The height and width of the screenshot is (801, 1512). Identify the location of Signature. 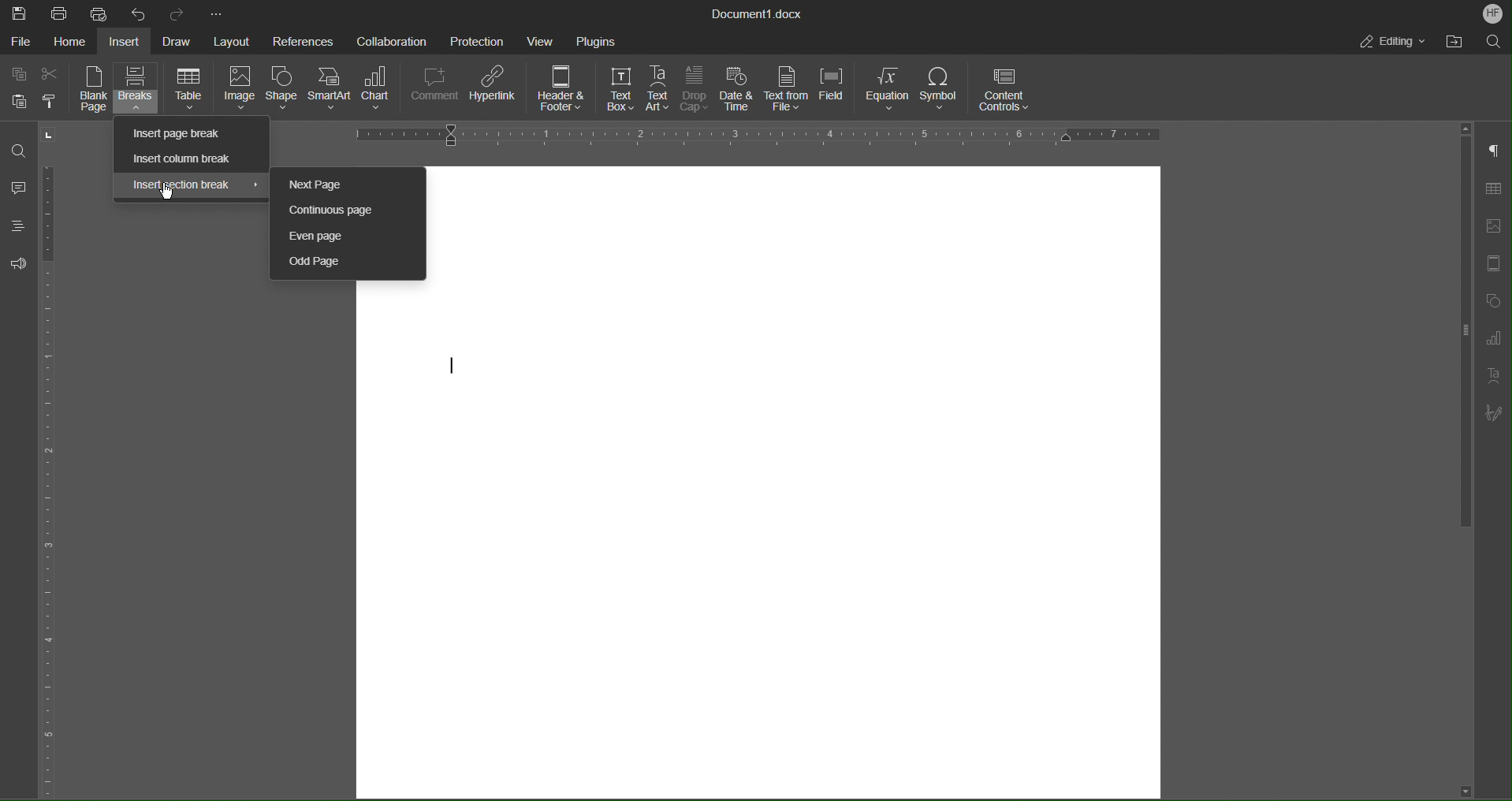
(1493, 413).